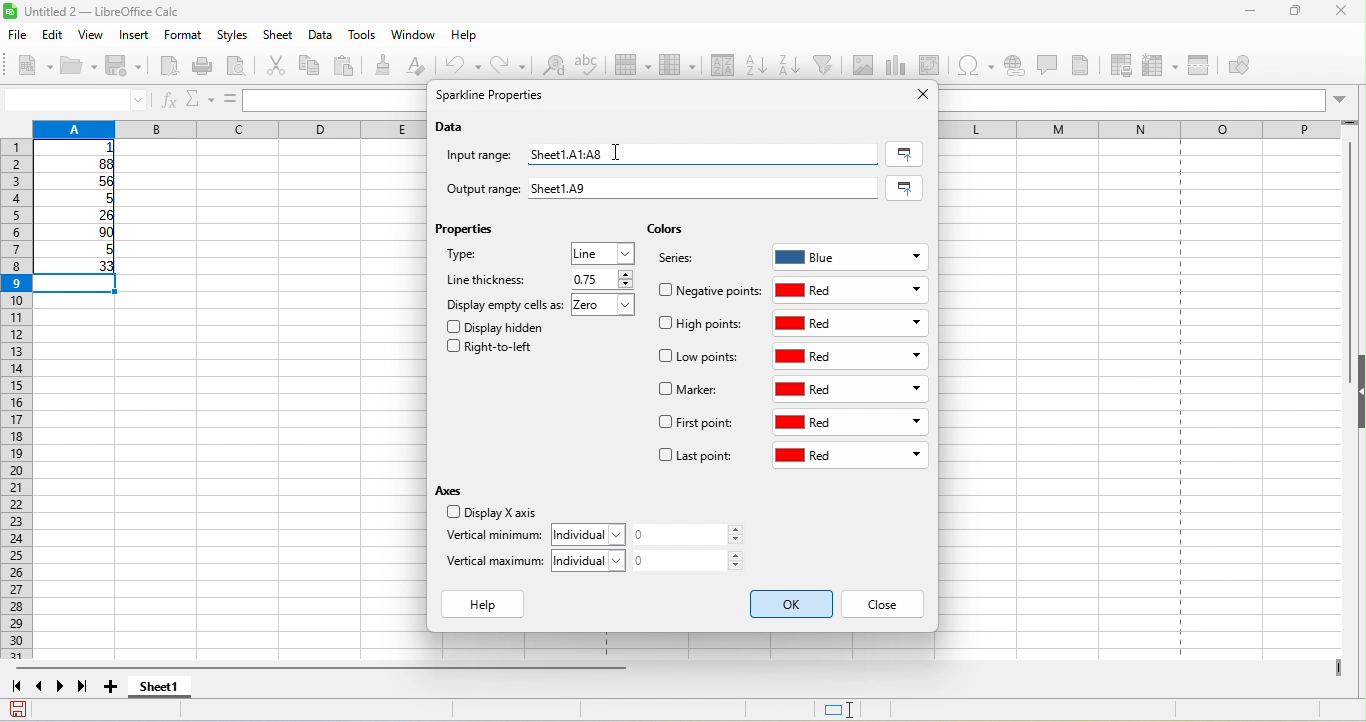 This screenshot has height=722, width=1366. What do you see at coordinates (15, 401) in the screenshot?
I see `rows` at bounding box center [15, 401].